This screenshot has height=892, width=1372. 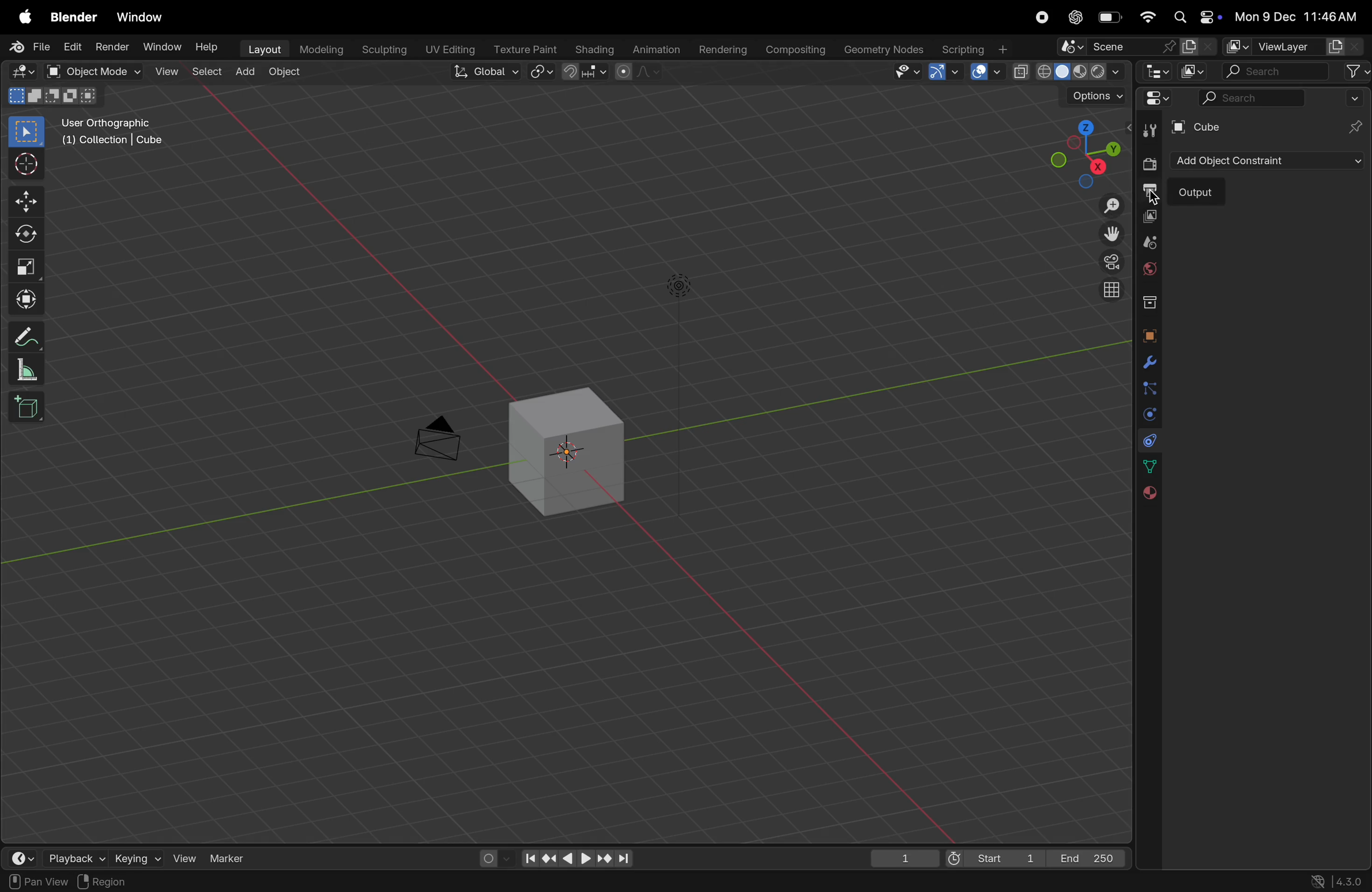 I want to click on auto keying, so click(x=492, y=856).